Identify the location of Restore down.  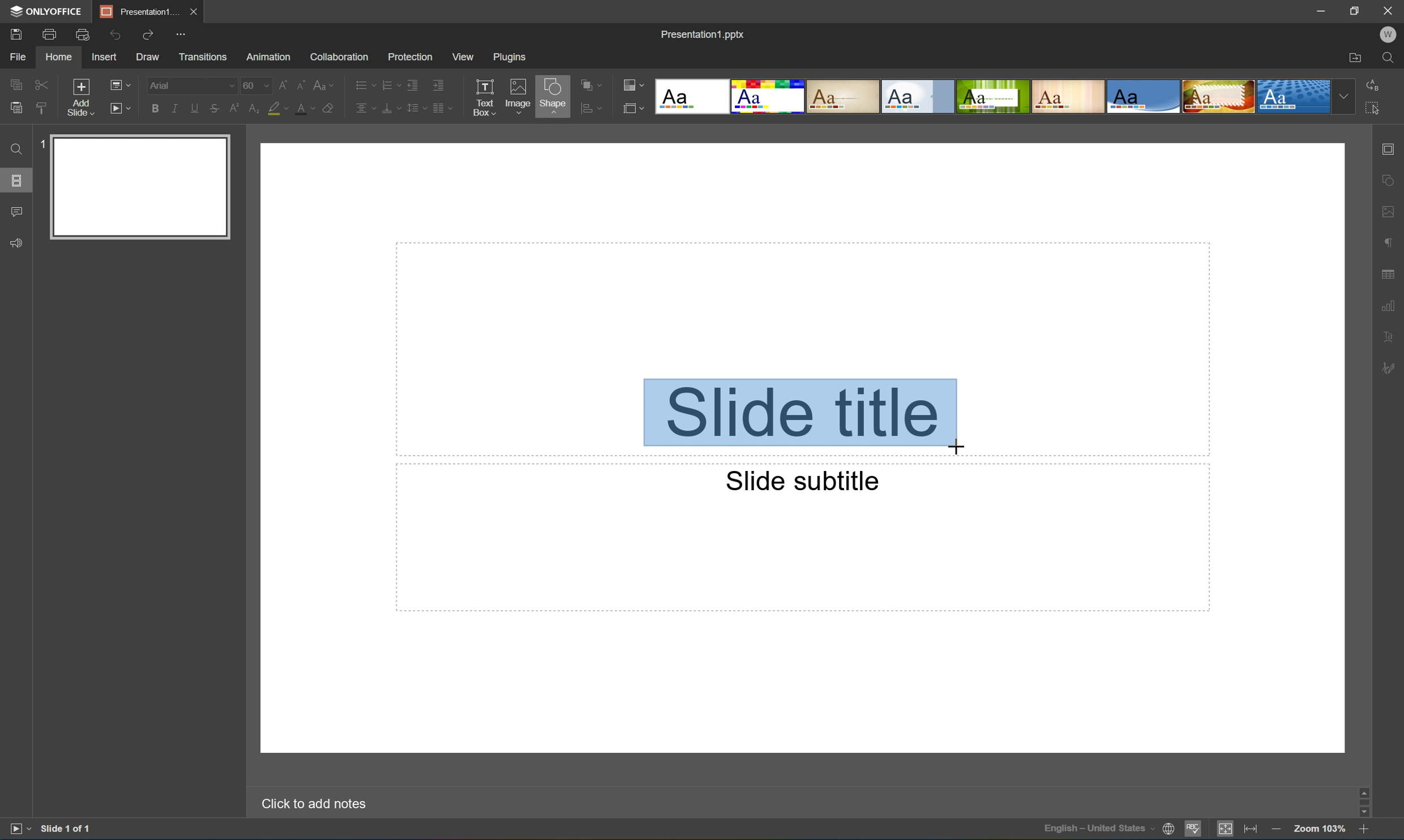
(1352, 11).